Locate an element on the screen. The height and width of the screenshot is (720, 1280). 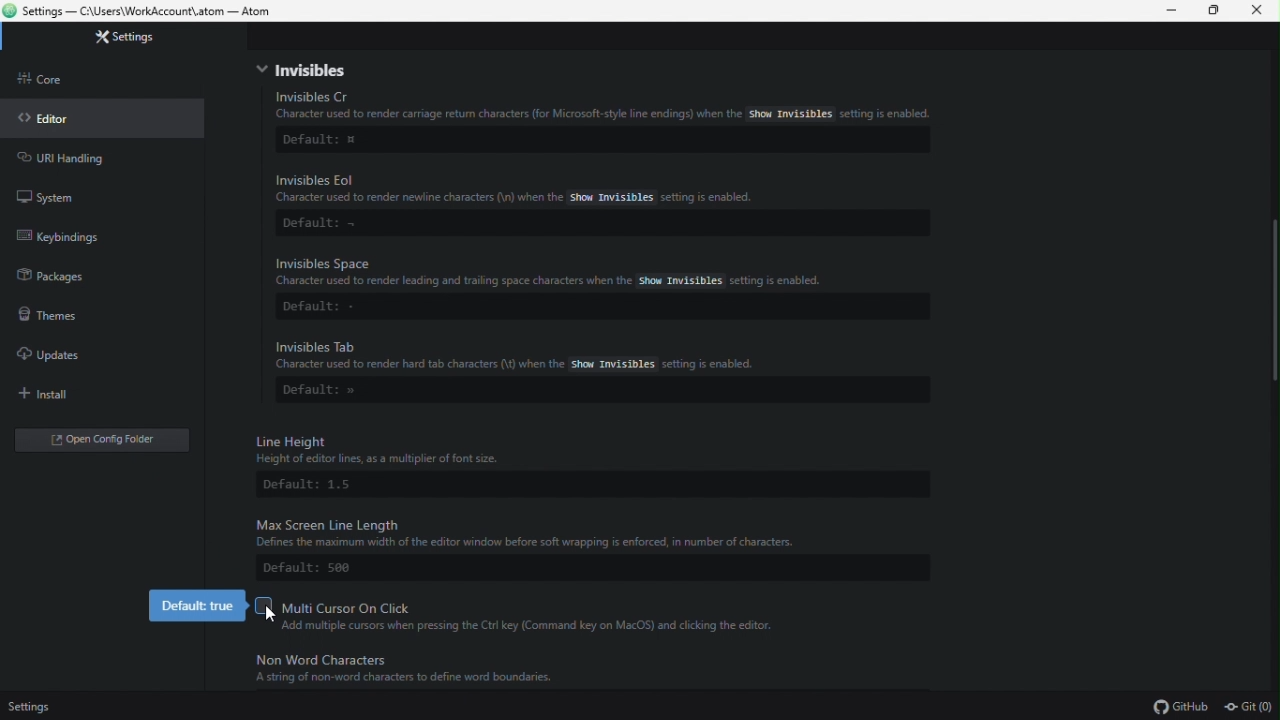
Editor is located at coordinates (56, 124).